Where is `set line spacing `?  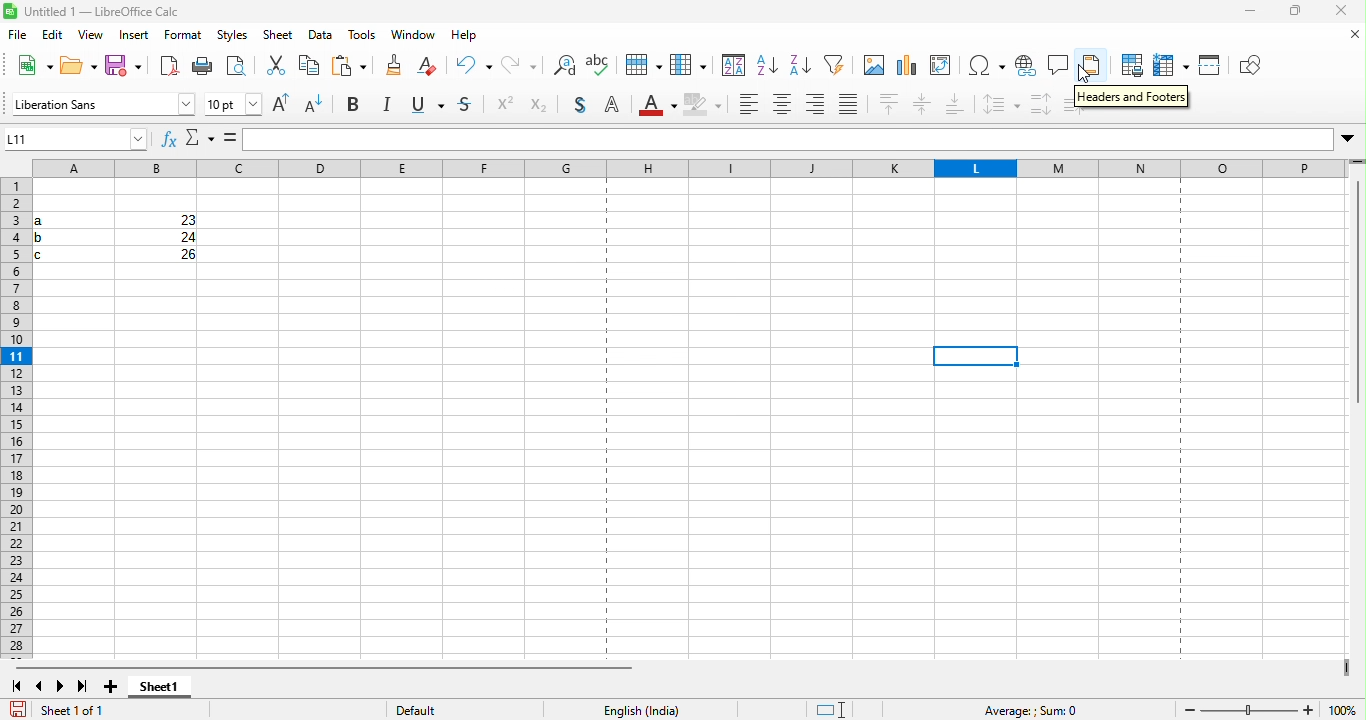
set line spacing  is located at coordinates (1002, 105).